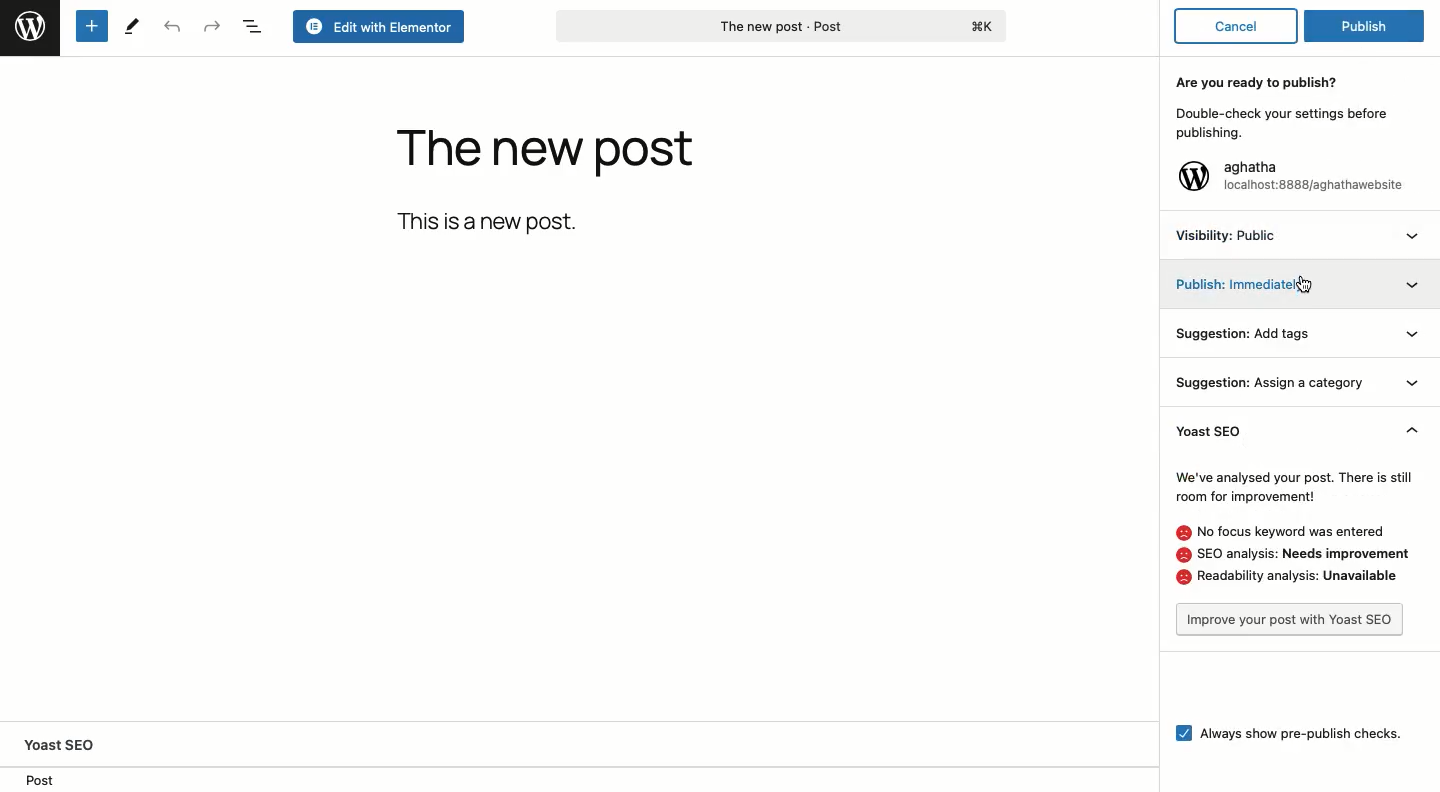 This screenshot has width=1440, height=792. I want to click on Visibility: Public, so click(1229, 235).